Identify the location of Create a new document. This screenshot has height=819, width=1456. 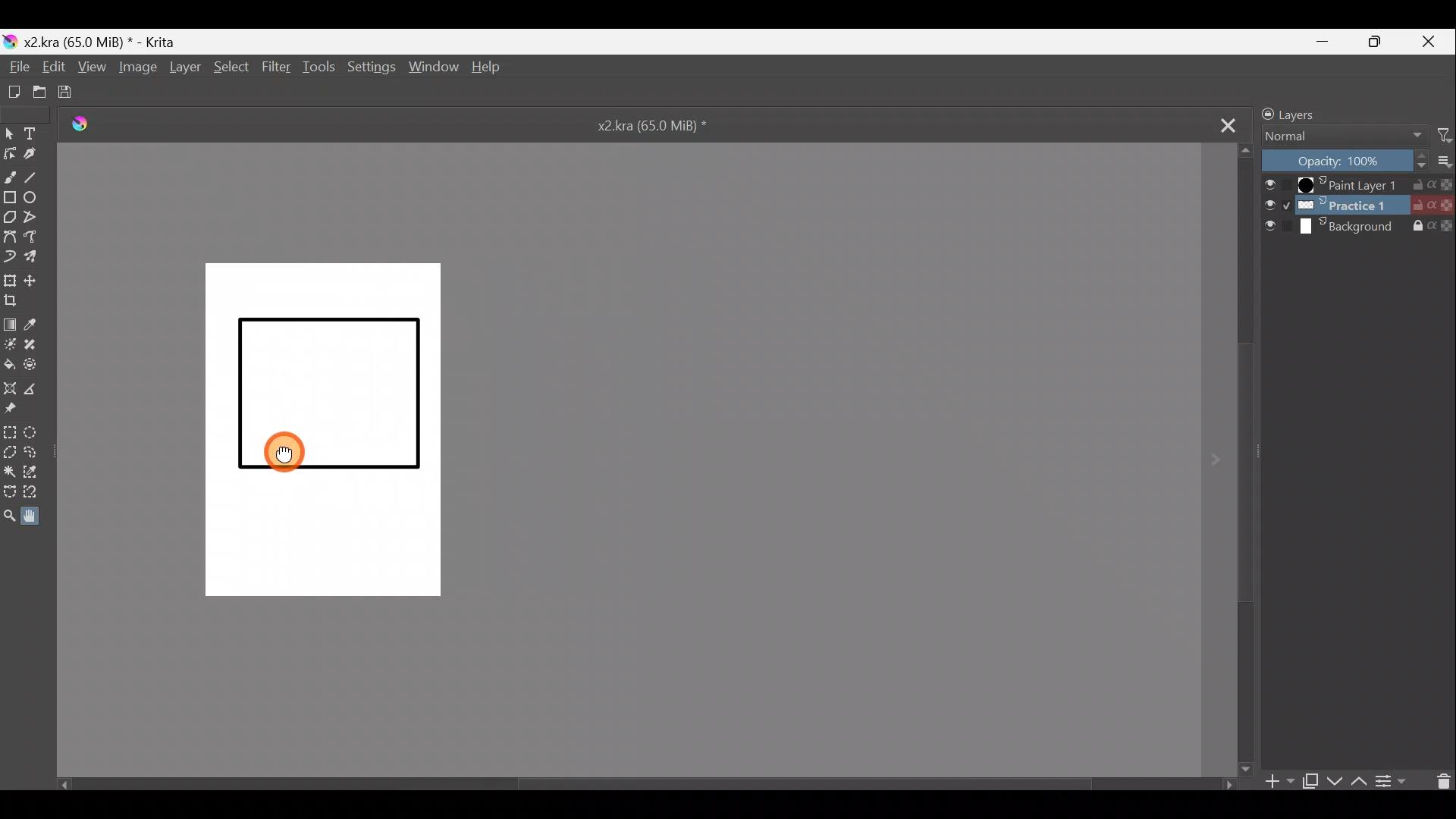
(13, 92).